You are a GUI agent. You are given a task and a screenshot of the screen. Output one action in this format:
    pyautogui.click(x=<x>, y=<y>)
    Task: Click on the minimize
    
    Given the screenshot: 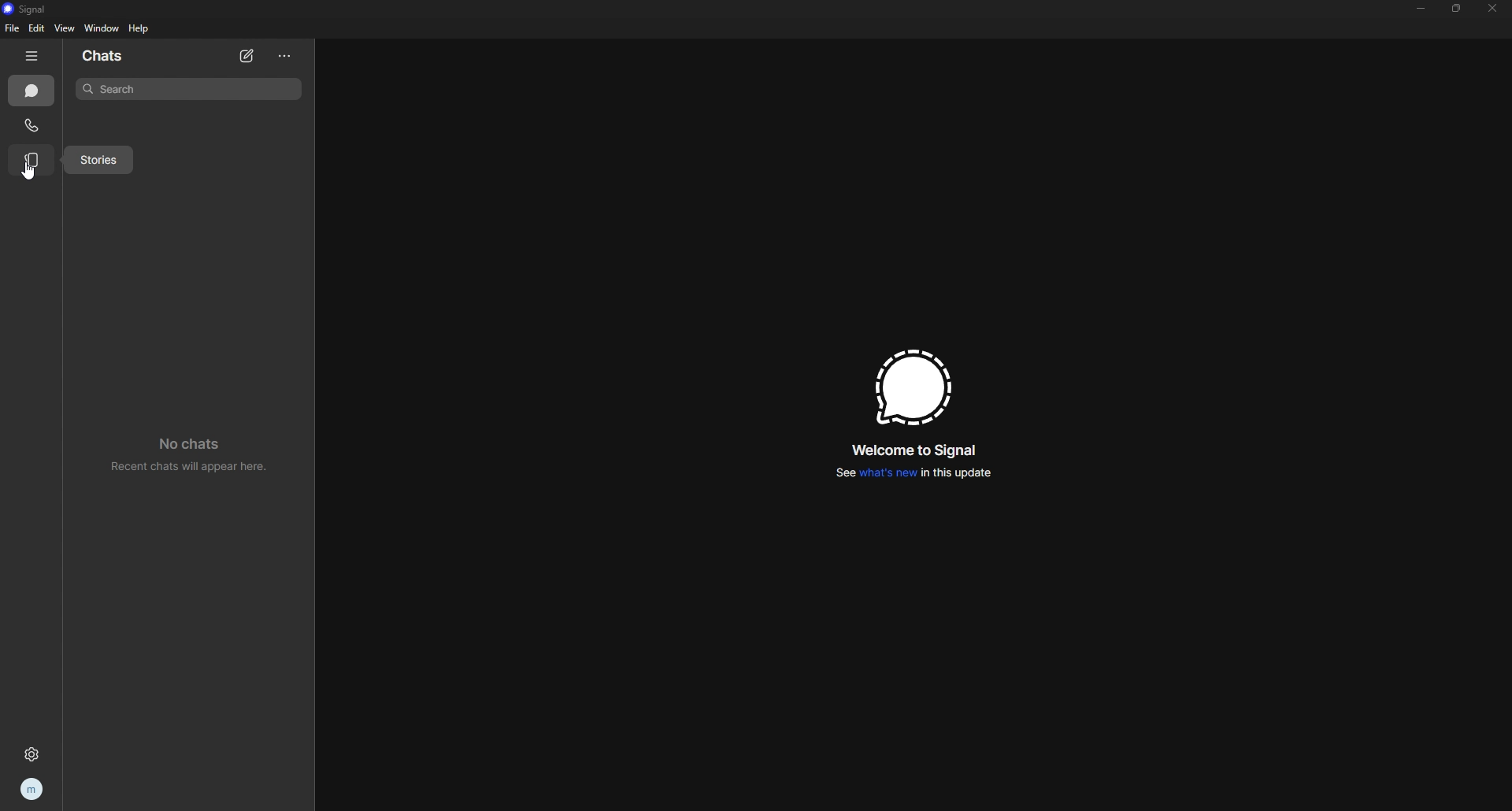 What is the action you would take?
    pyautogui.click(x=1421, y=8)
    